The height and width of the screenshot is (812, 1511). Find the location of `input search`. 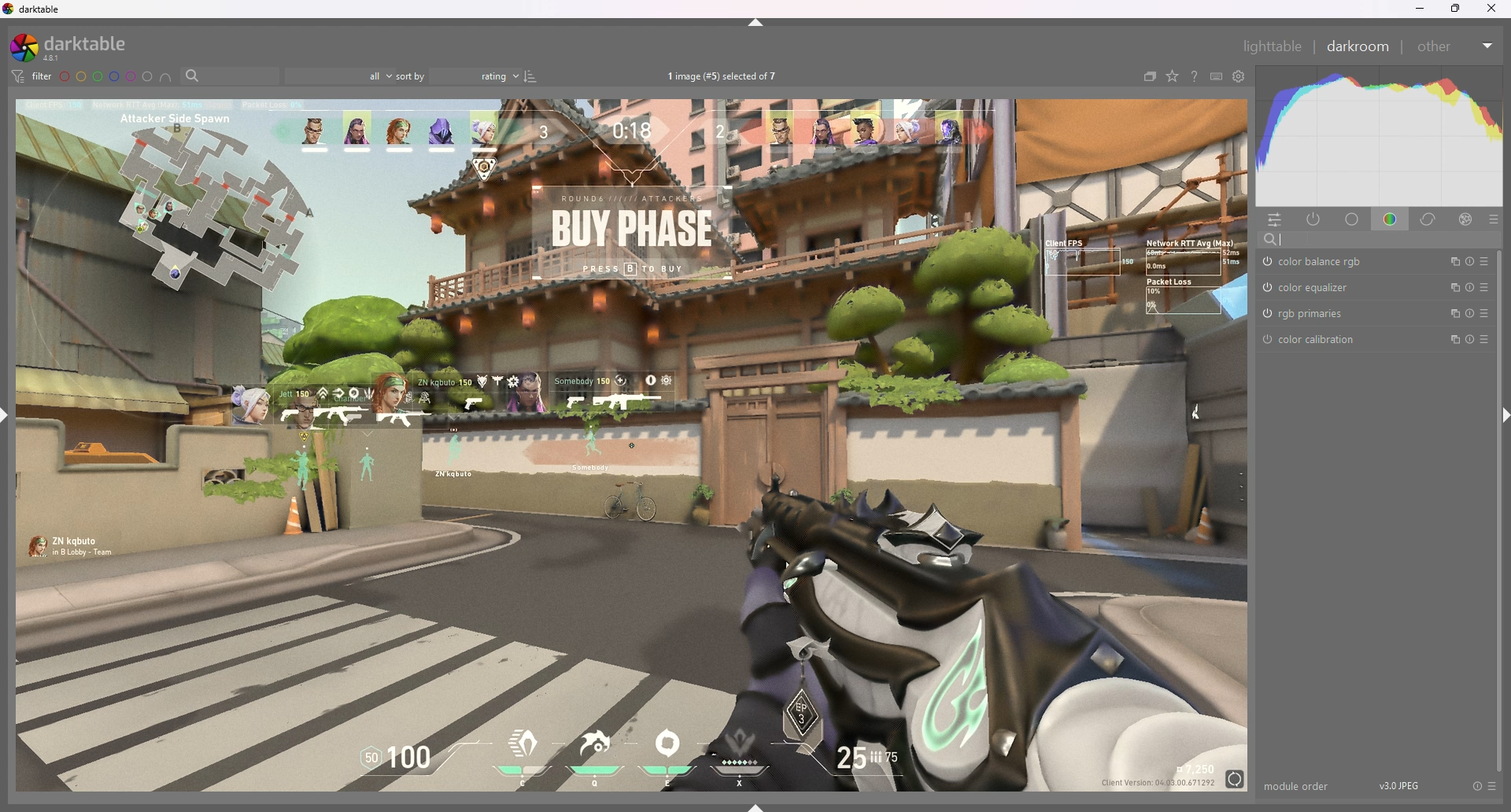

input search is located at coordinates (1381, 239).